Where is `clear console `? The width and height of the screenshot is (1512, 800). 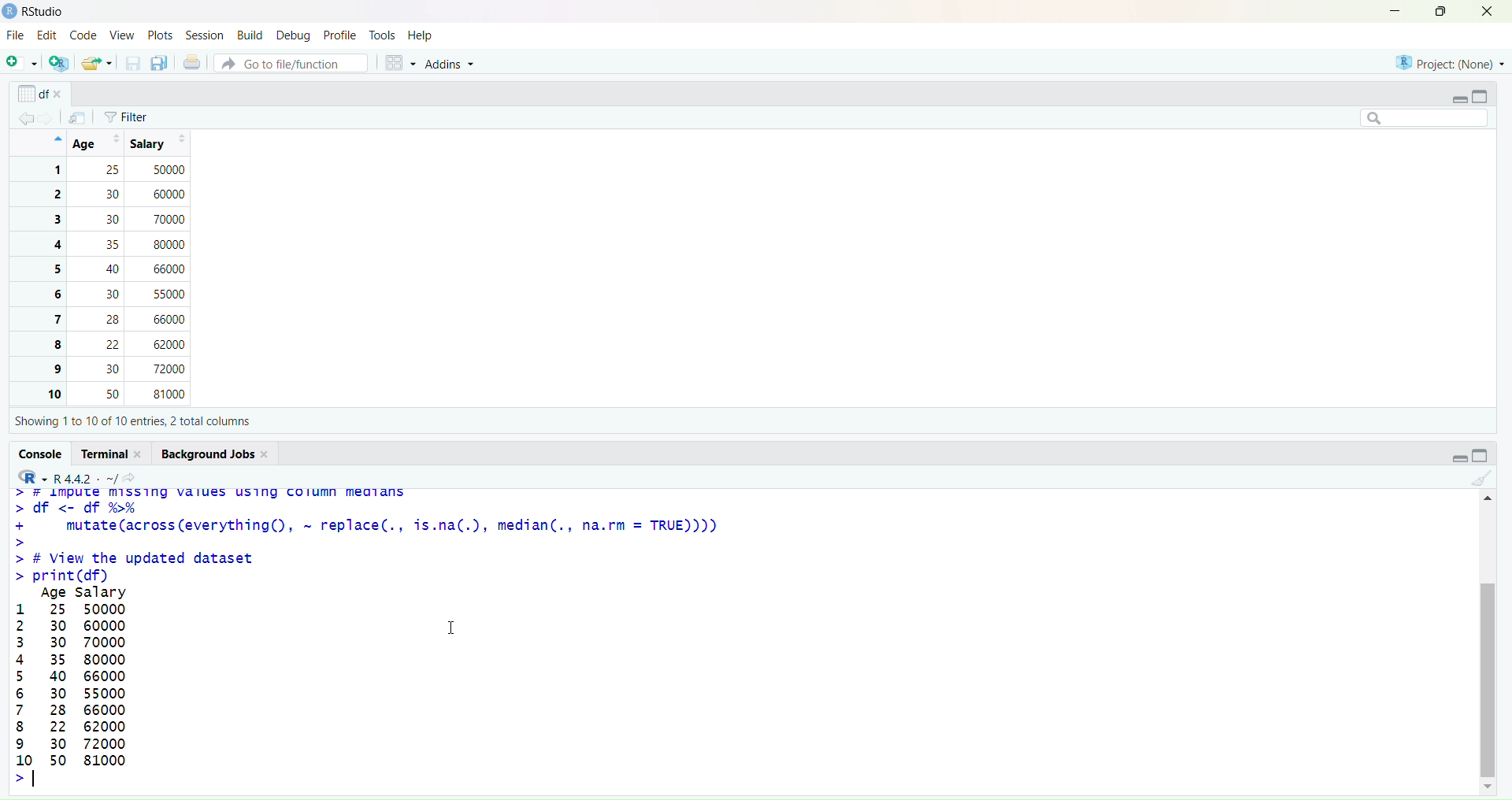 clear console  is located at coordinates (1480, 478).